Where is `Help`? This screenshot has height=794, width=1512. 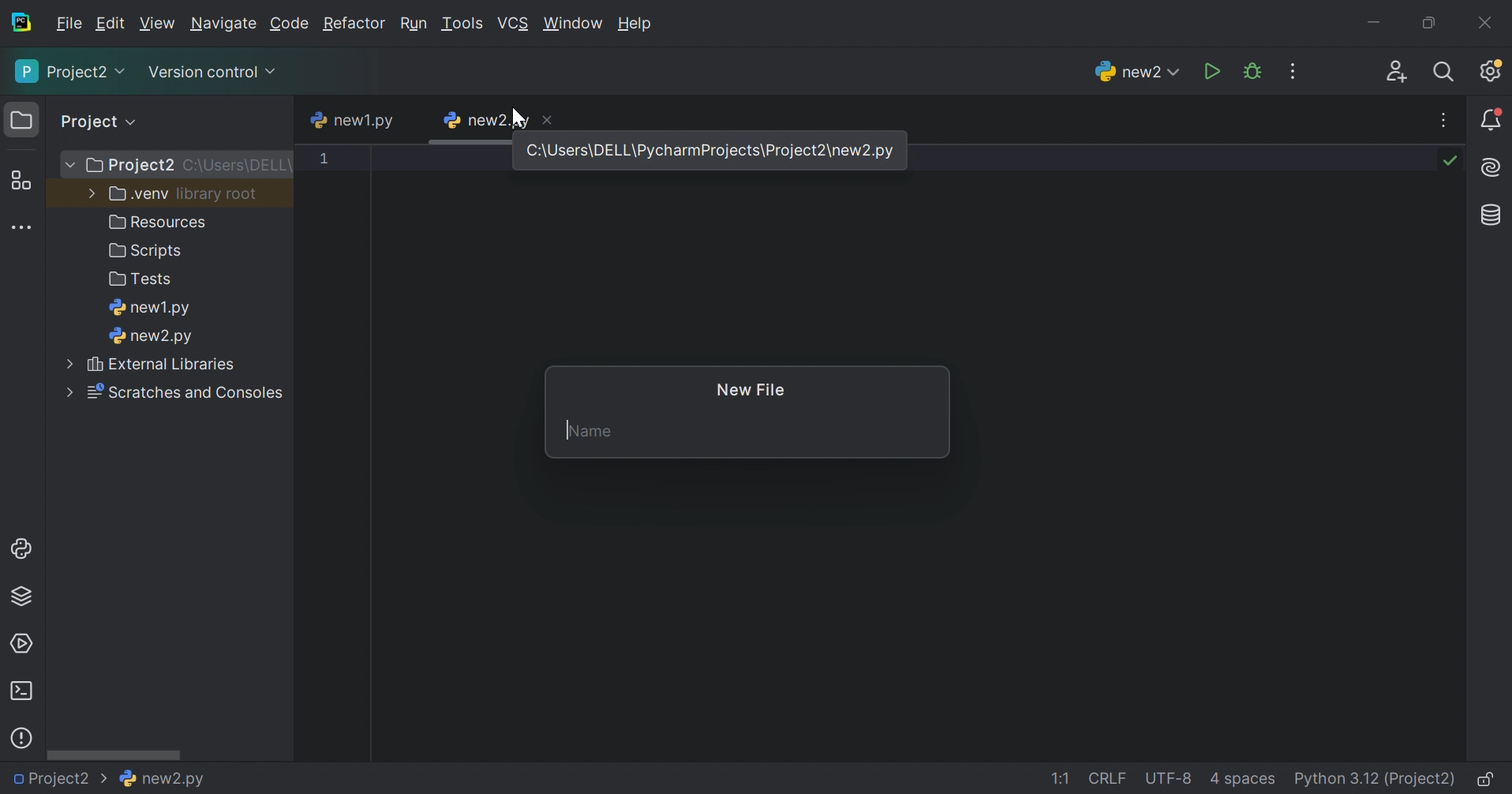
Help is located at coordinates (638, 24).